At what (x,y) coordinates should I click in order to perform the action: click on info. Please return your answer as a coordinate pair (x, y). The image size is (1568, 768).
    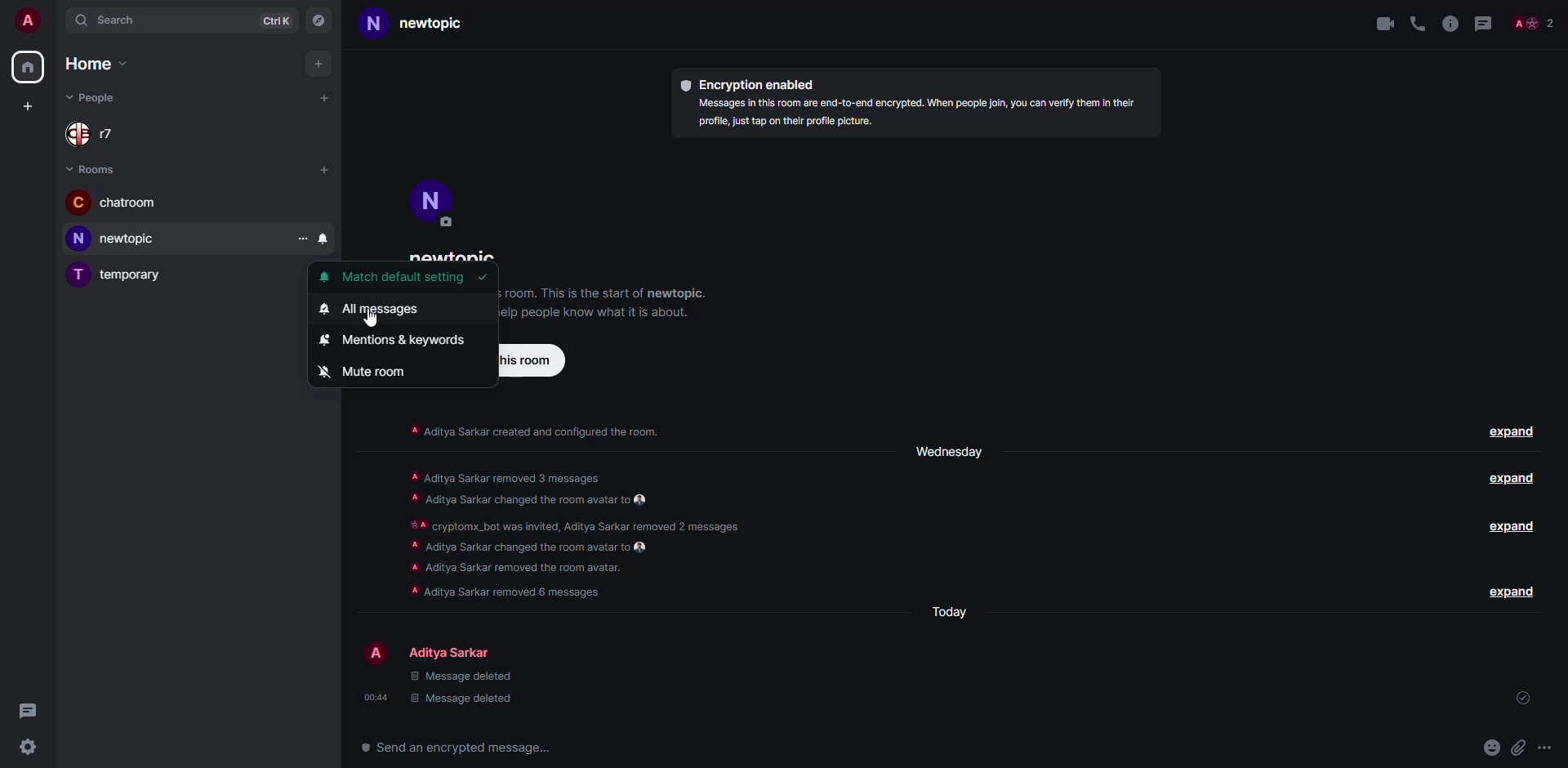
    Looking at the image, I should click on (611, 291).